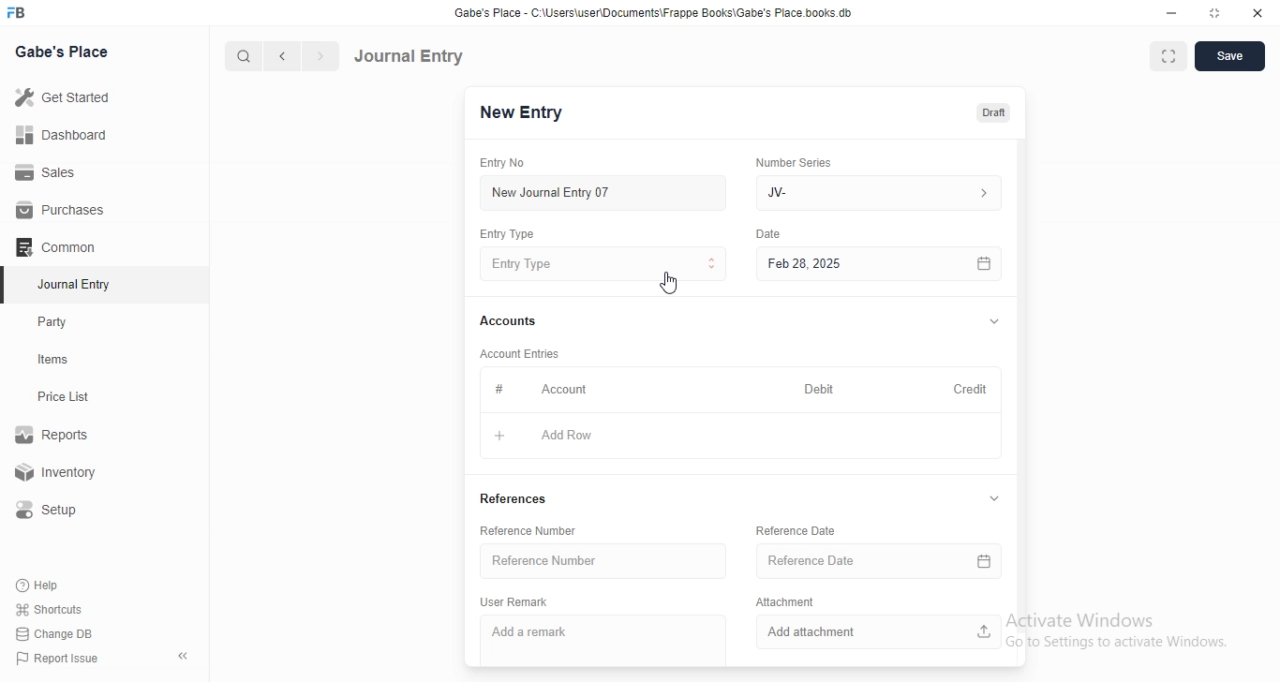 The width and height of the screenshot is (1280, 682). What do you see at coordinates (792, 162) in the screenshot?
I see `‘Number Series` at bounding box center [792, 162].